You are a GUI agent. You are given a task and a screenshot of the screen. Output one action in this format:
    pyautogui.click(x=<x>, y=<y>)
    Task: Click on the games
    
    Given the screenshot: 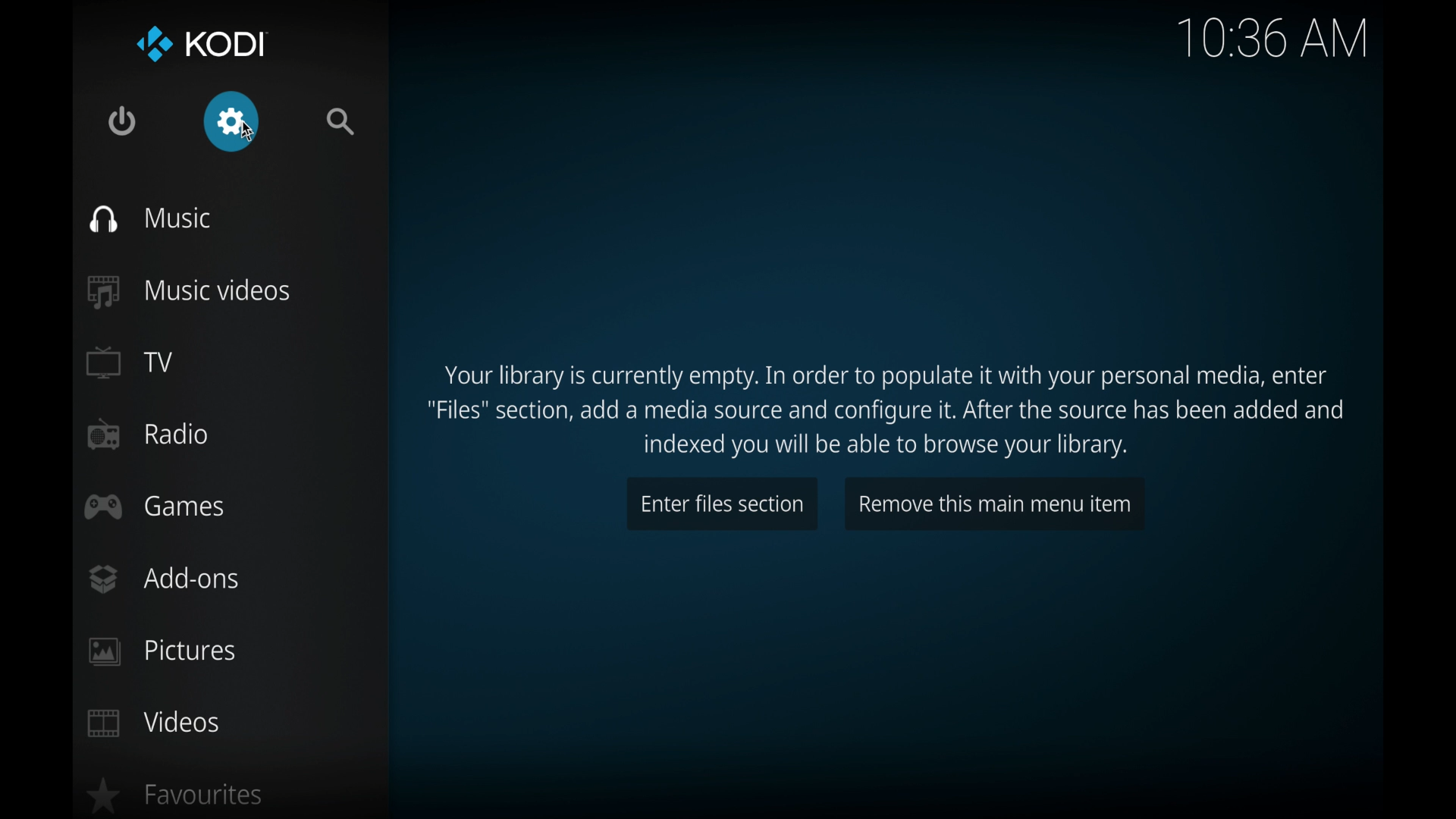 What is the action you would take?
    pyautogui.click(x=155, y=506)
    